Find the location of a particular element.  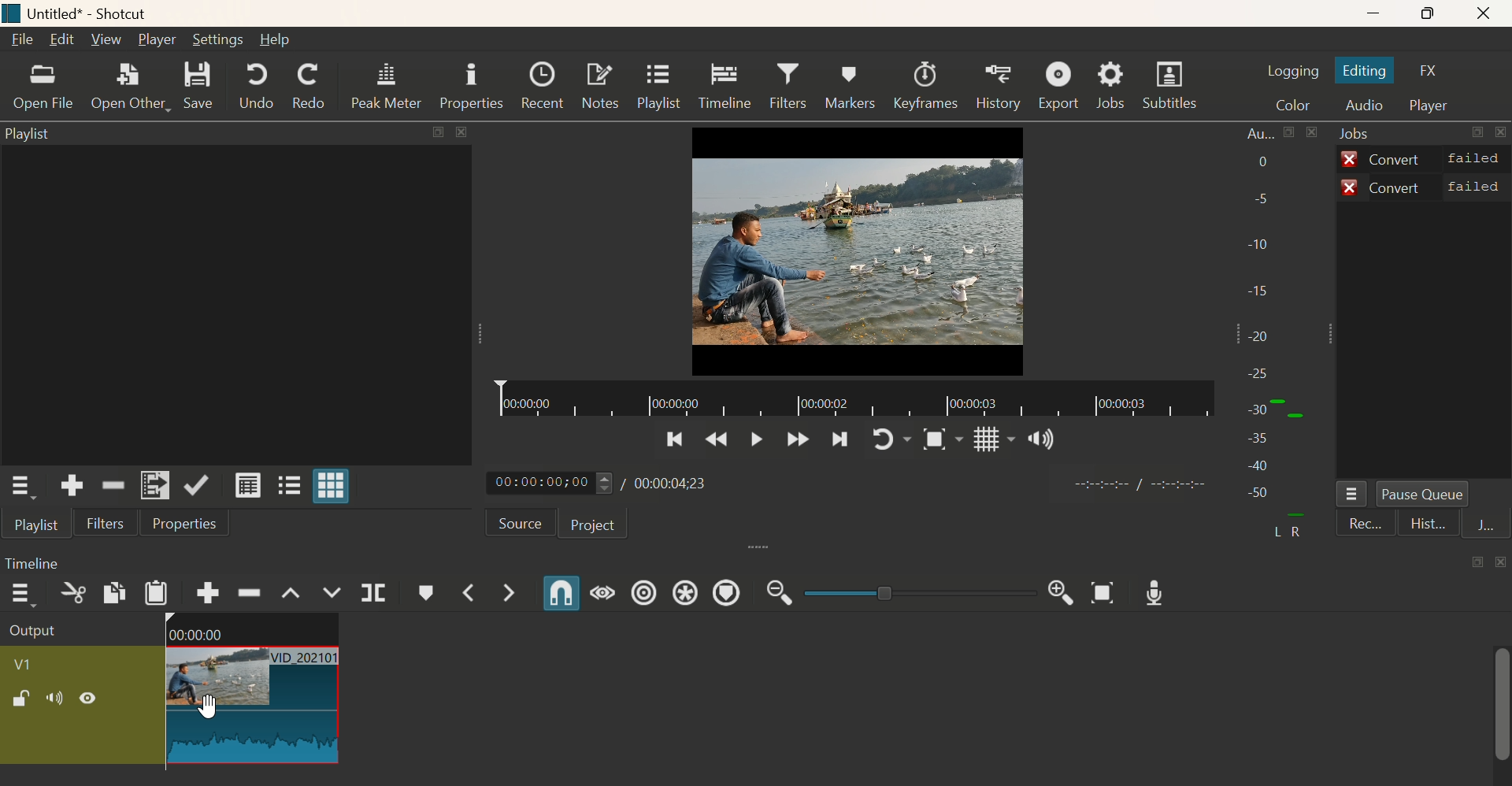

time is located at coordinates (1136, 484).